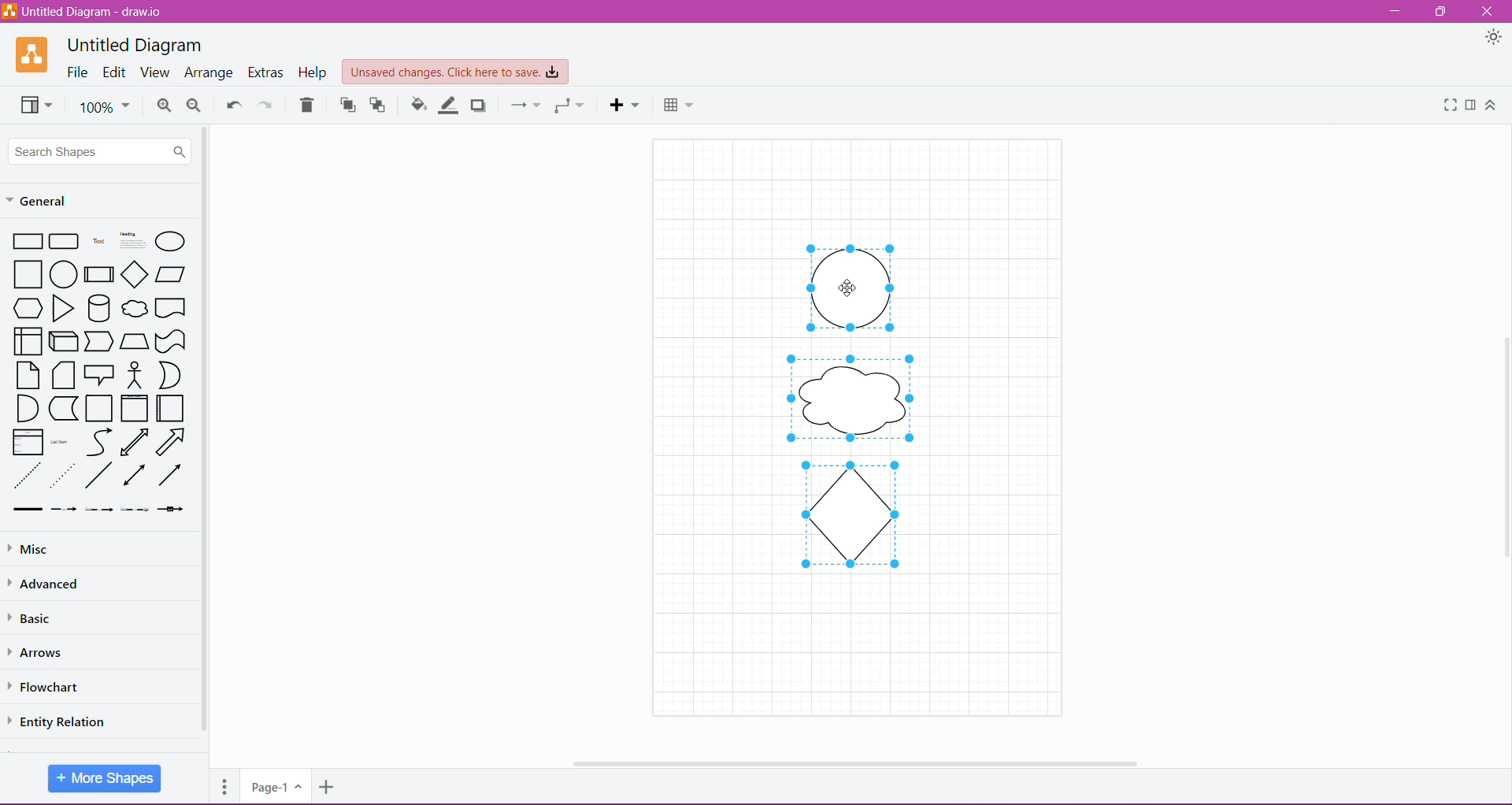  What do you see at coordinates (307, 105) in the screenshot?
I see `Delete` at bounding box center [307, 105].